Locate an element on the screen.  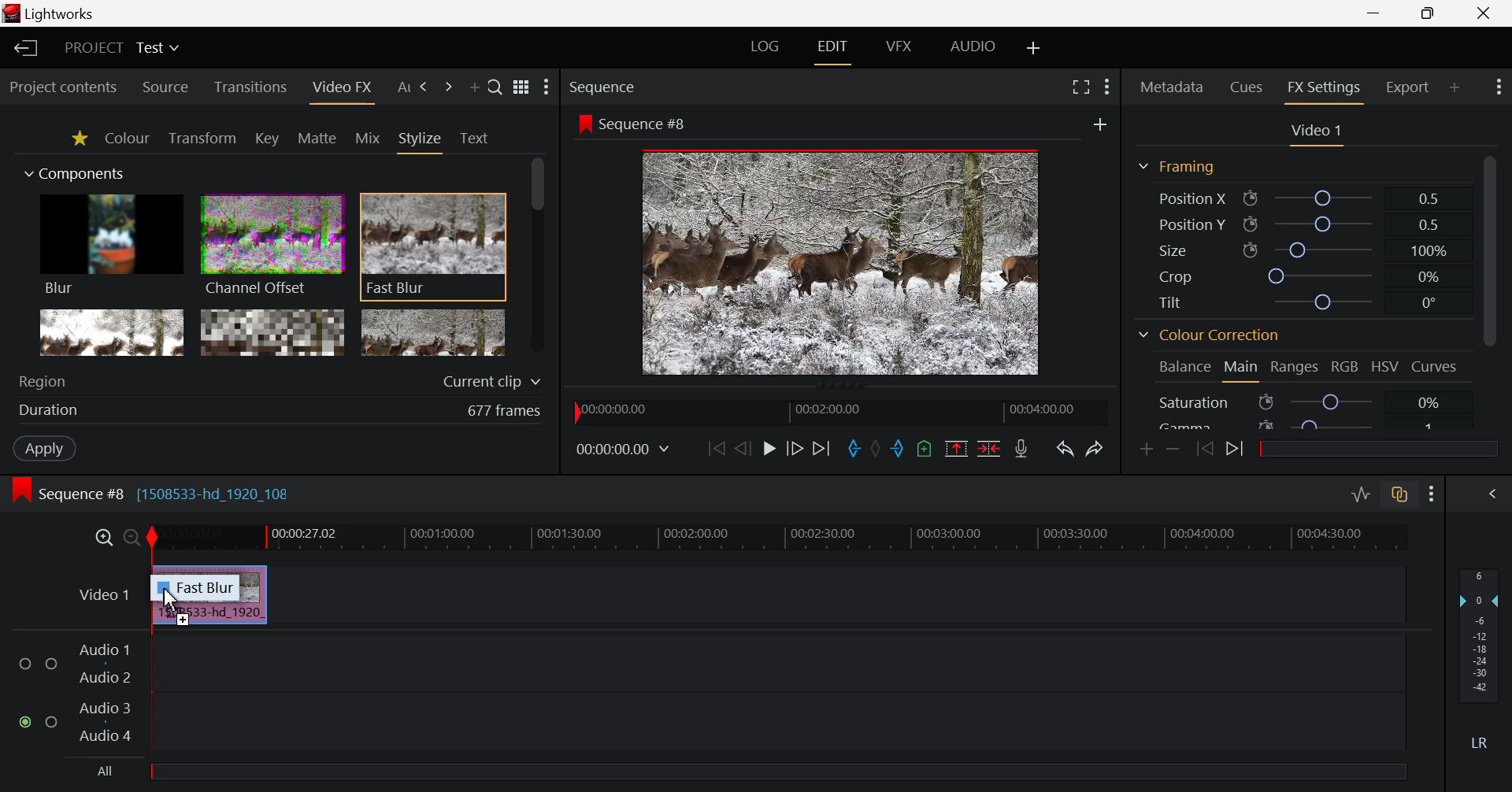
Ranges is located at coordinates (1294, 367).